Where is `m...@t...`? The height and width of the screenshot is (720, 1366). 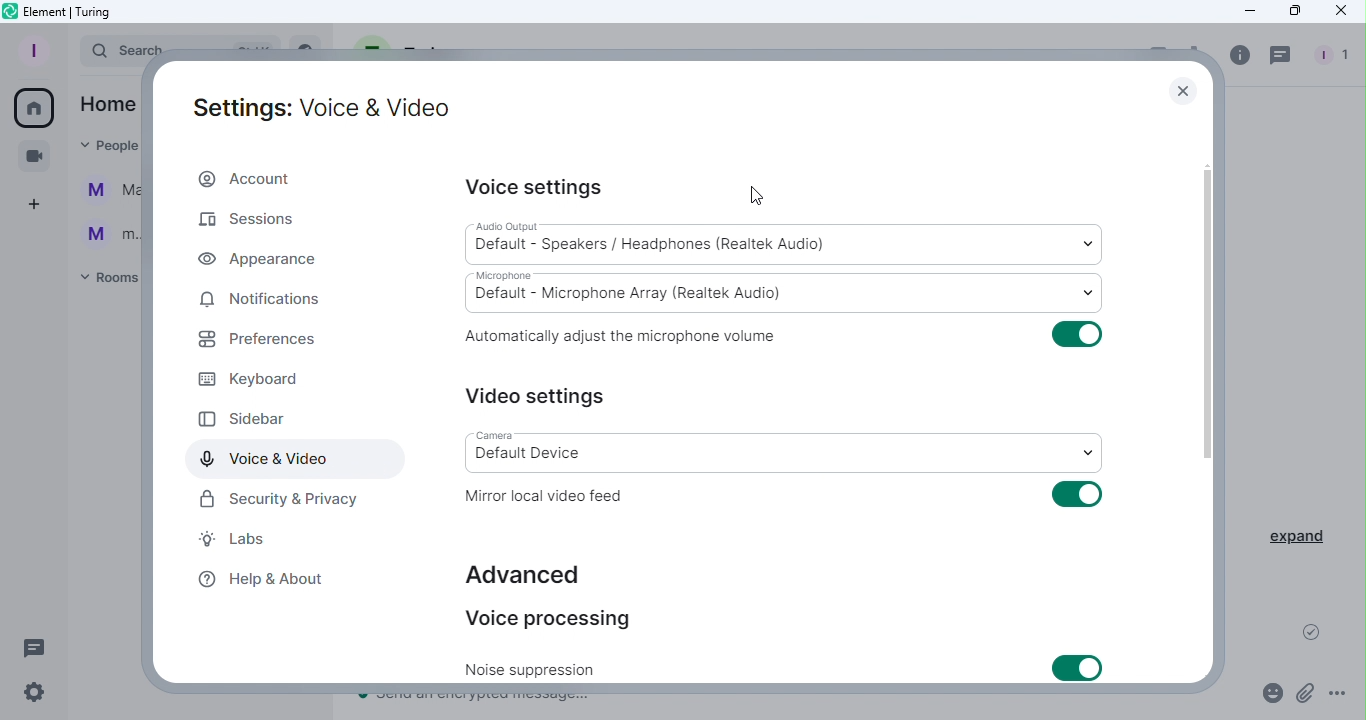 m...@t... is located at coordinates (114, 233).